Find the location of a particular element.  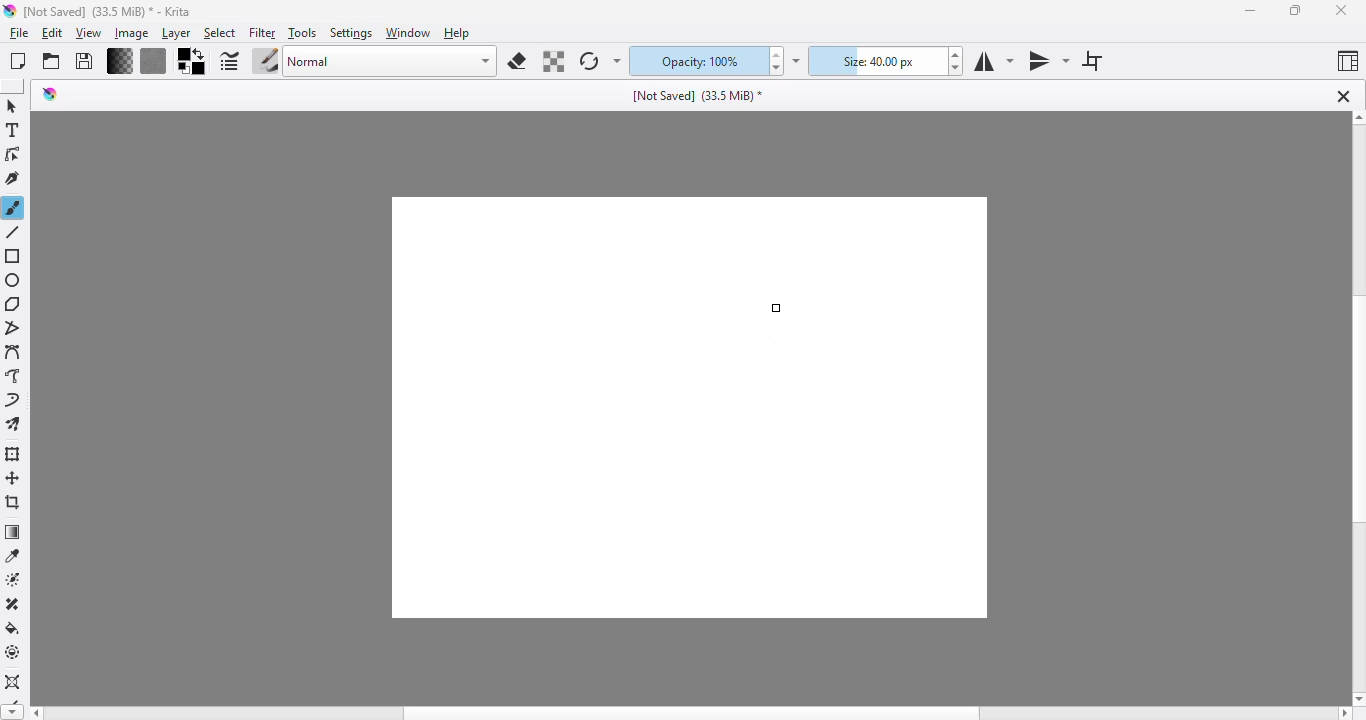

text tool is located at coordinates (13, 130).